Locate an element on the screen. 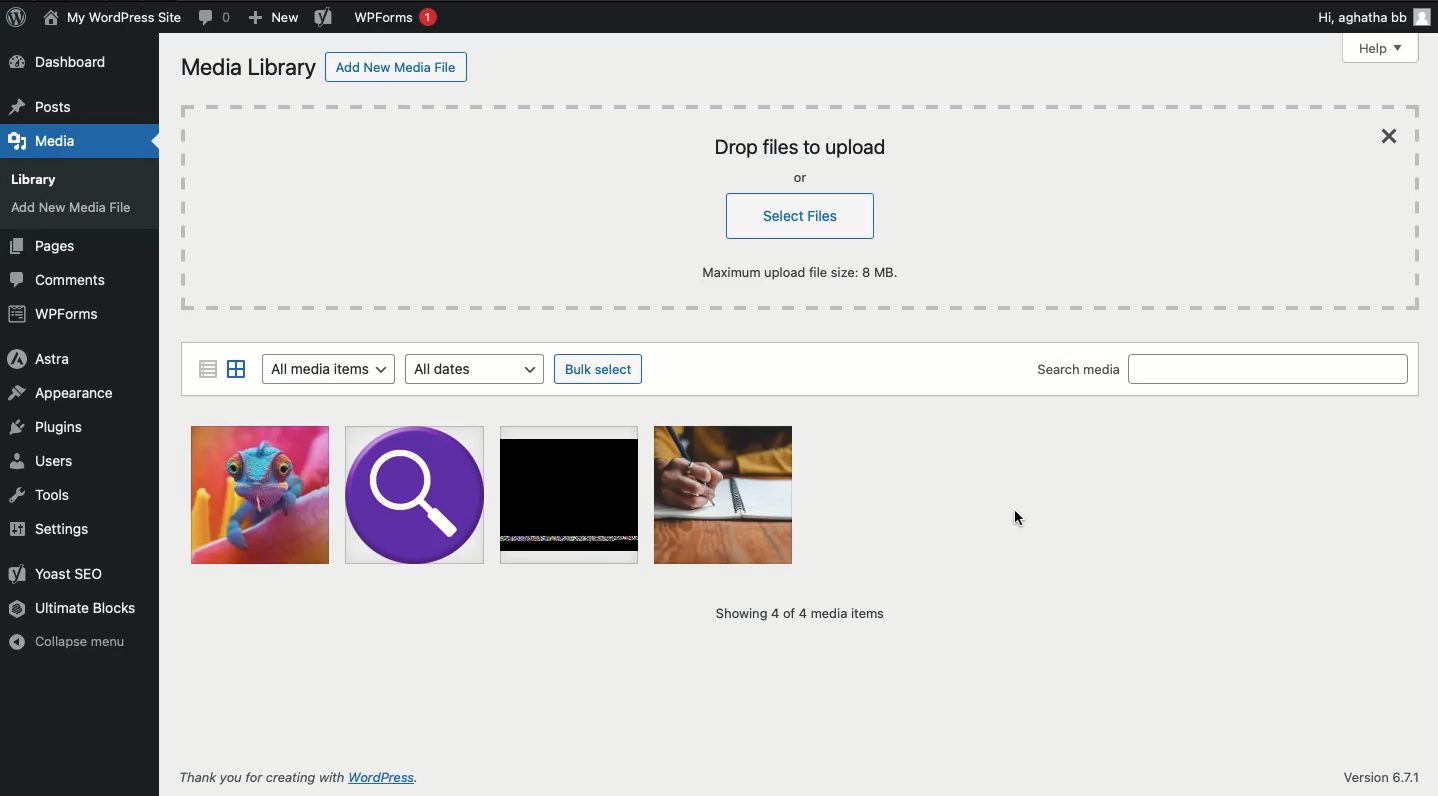  Sidebar is located at coordinates (206, 367).